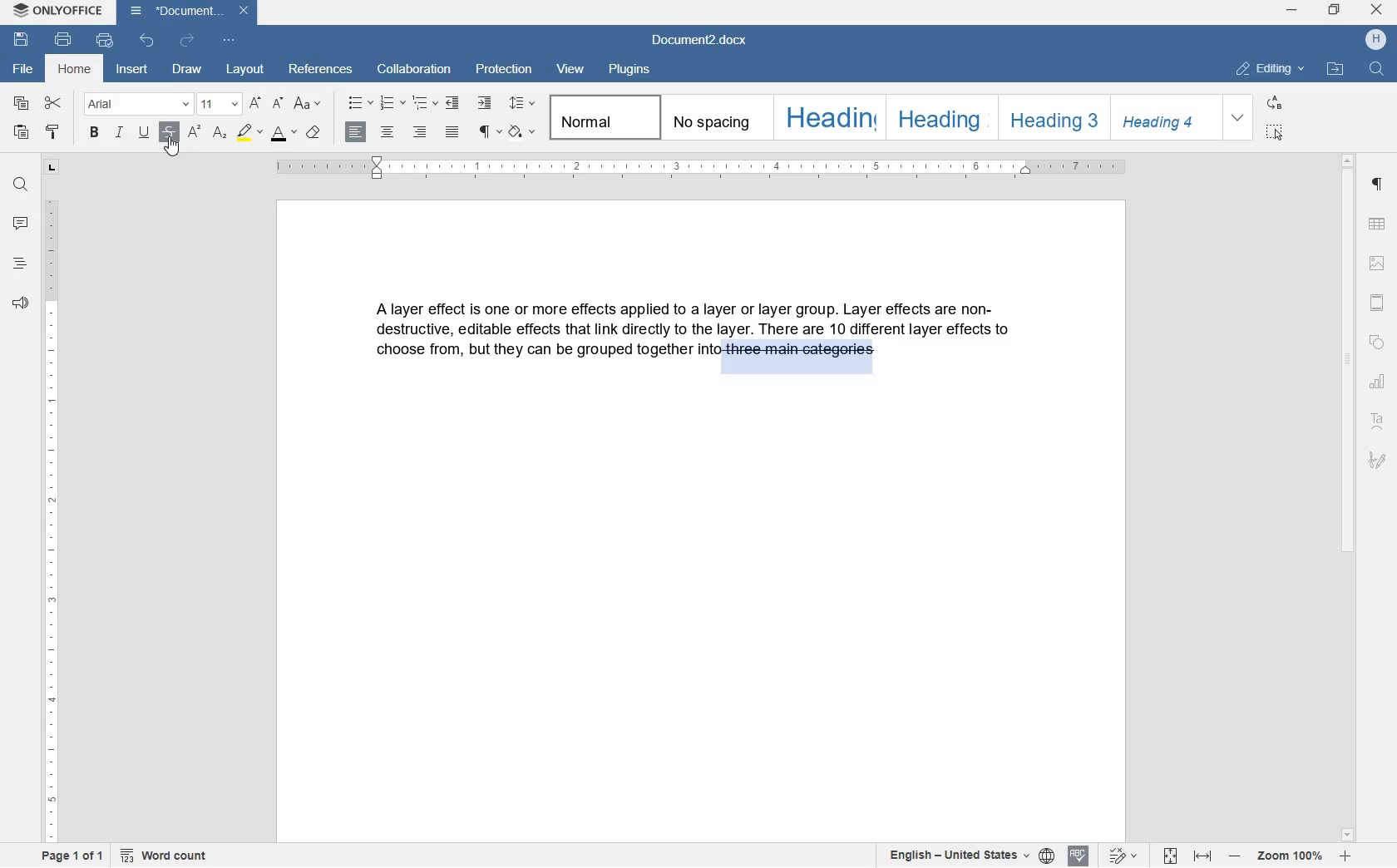 Image resolution: width=1397 pixels, height=868 pixels. Describe the element at coordinates (486, 130) in the screenshot. I see `non printing character` at that location.